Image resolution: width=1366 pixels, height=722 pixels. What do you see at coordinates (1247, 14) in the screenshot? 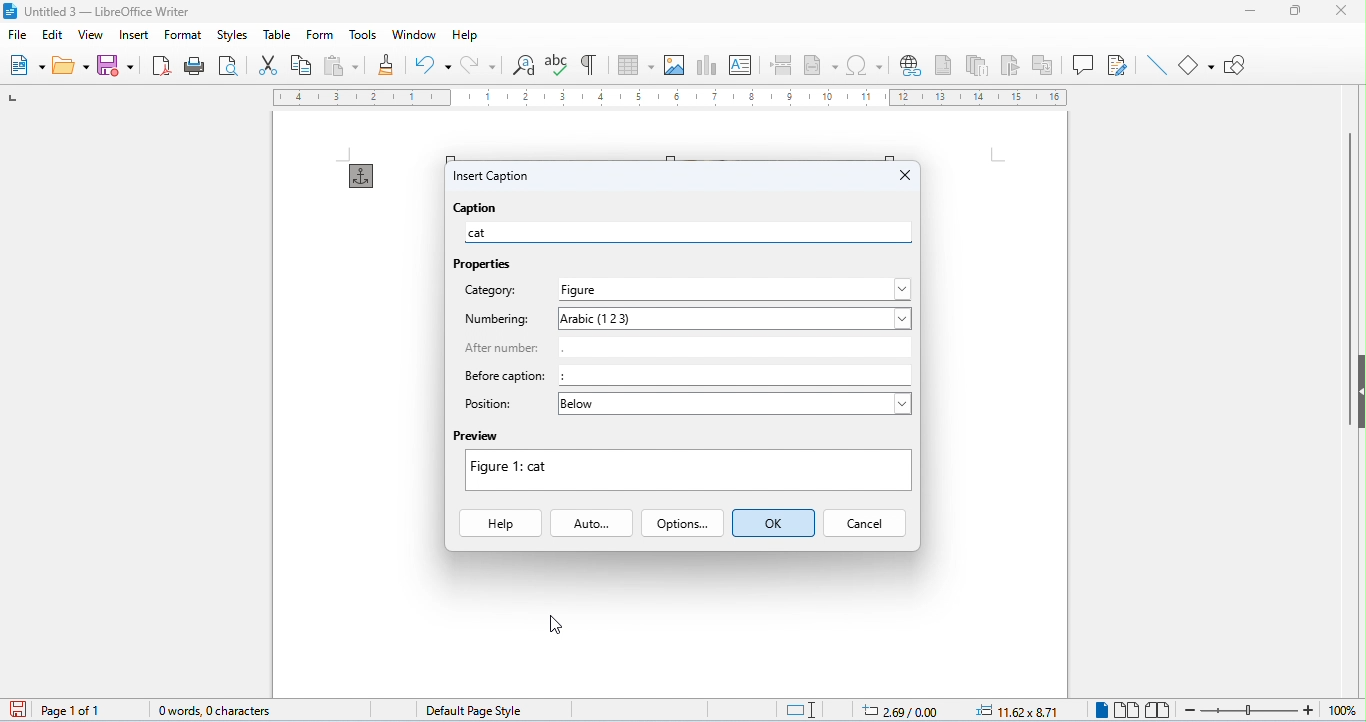
I see `minimize` at bounding box center [1247, 14].